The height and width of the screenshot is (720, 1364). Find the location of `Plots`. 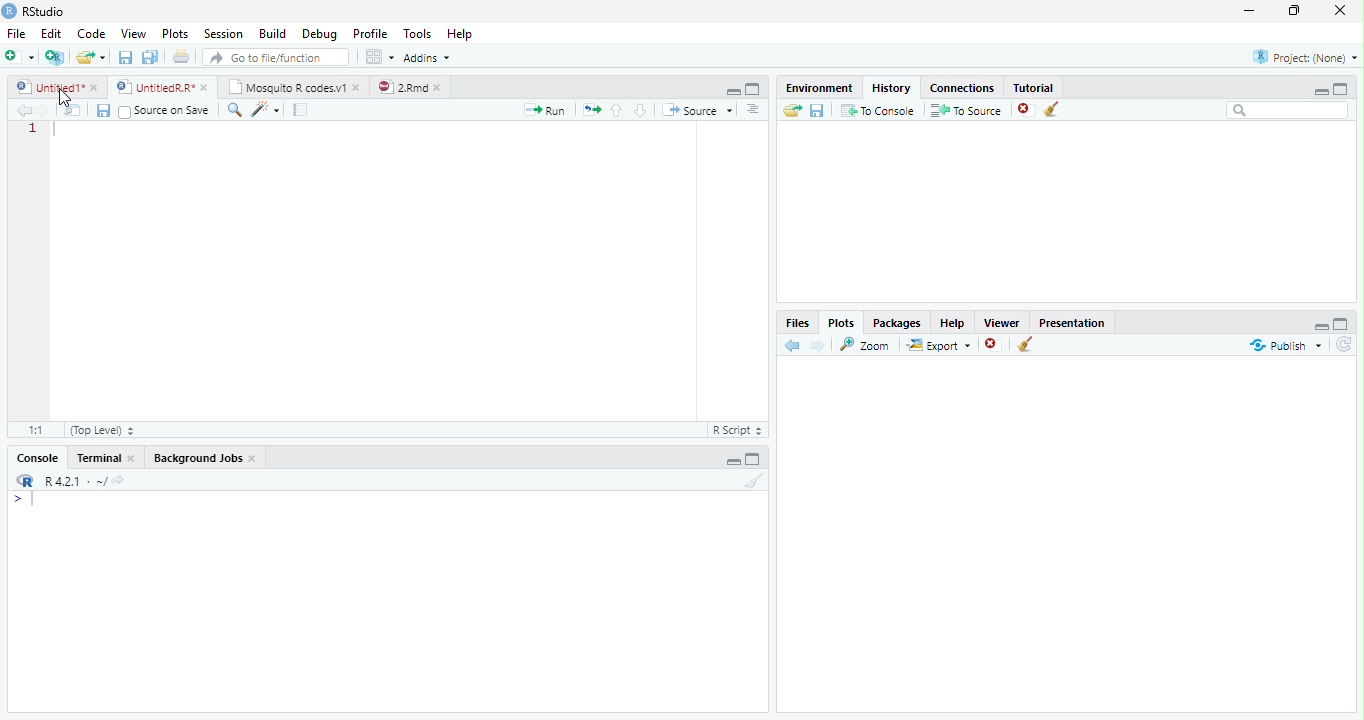

Plots is located at coordinates (841, 322).